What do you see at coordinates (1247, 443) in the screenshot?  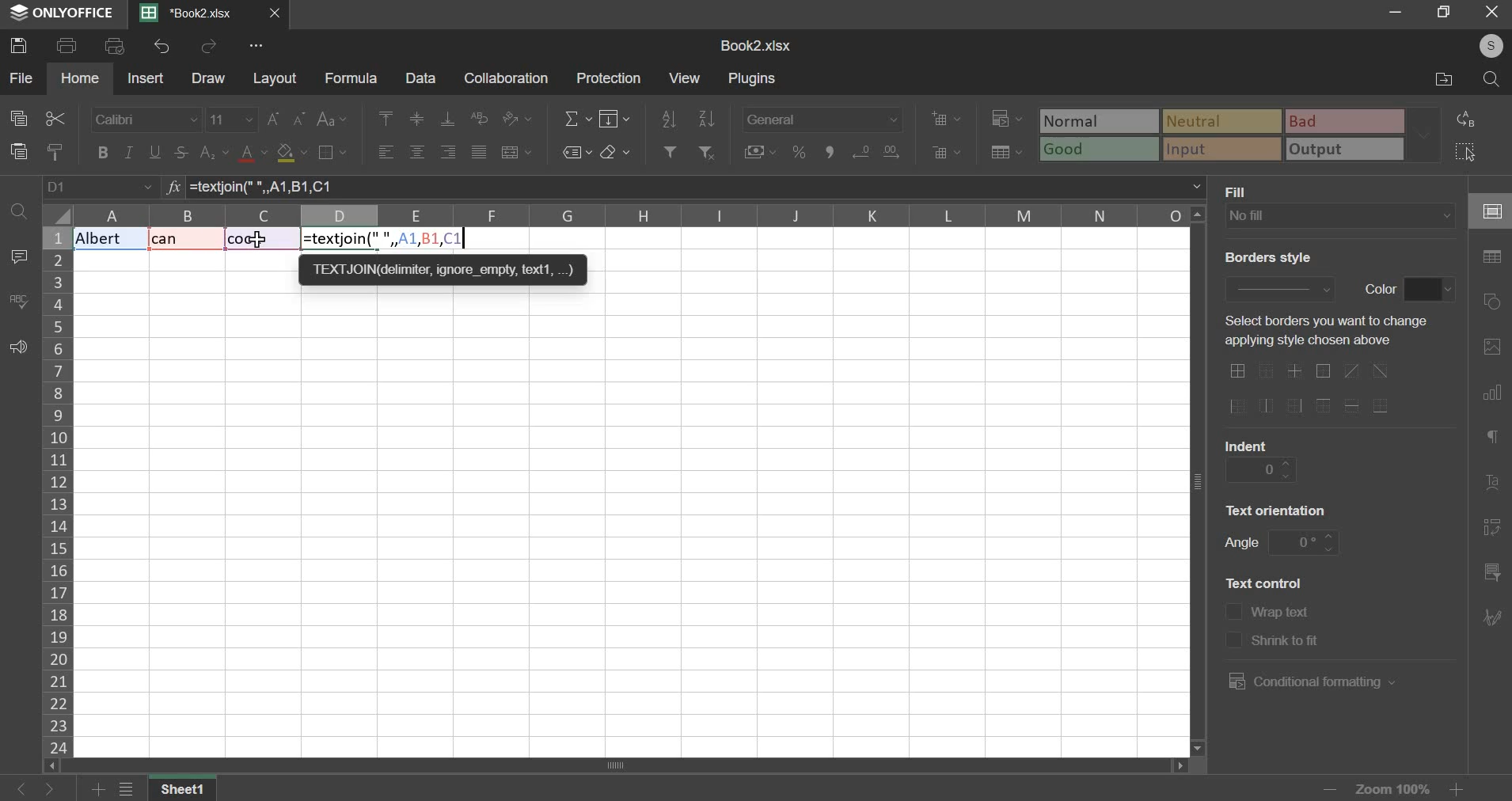 I see `text` at bounding box center [1247, 443].